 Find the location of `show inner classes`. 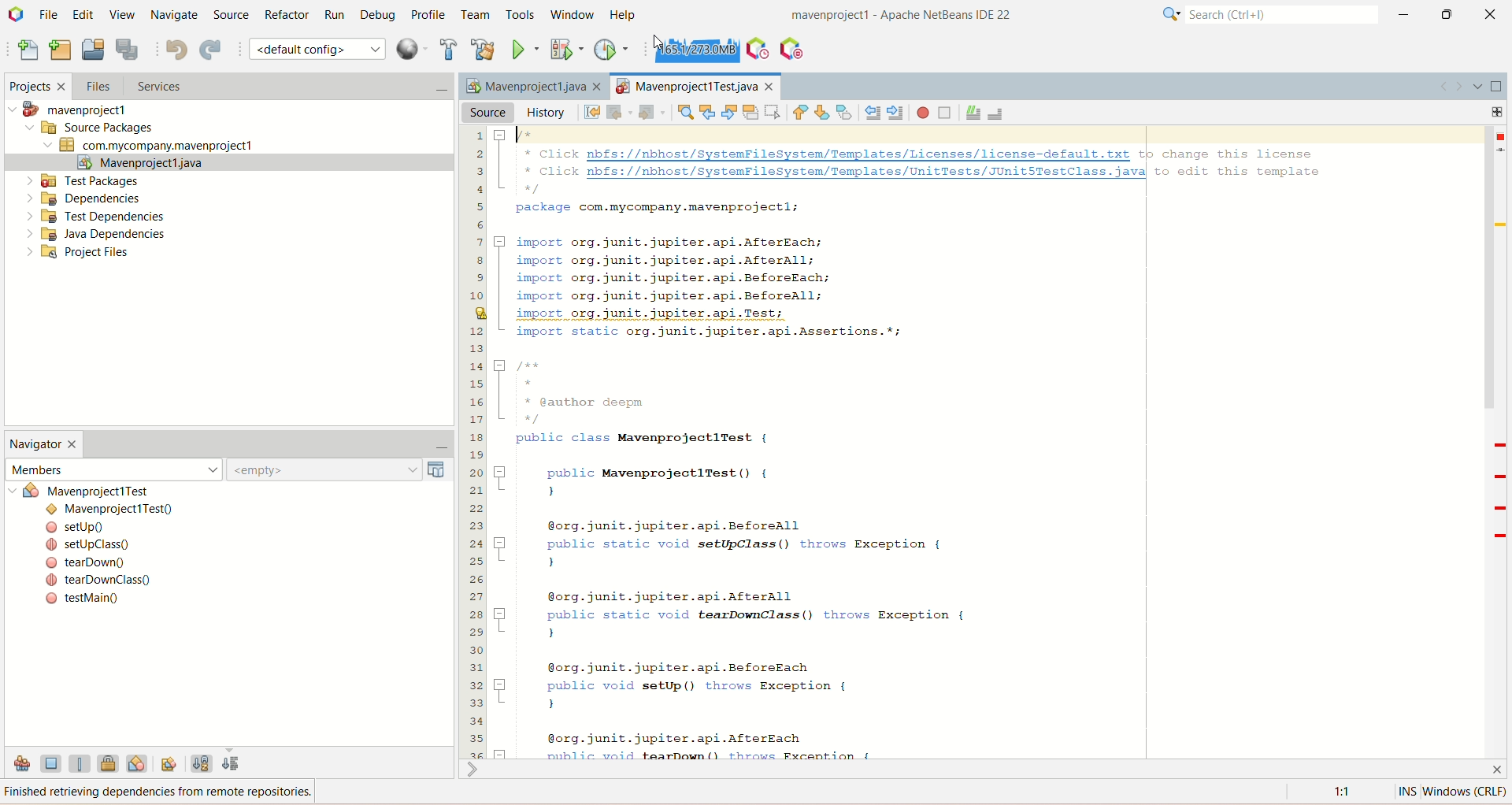

show inner classes is located at coordinates (138, 762).